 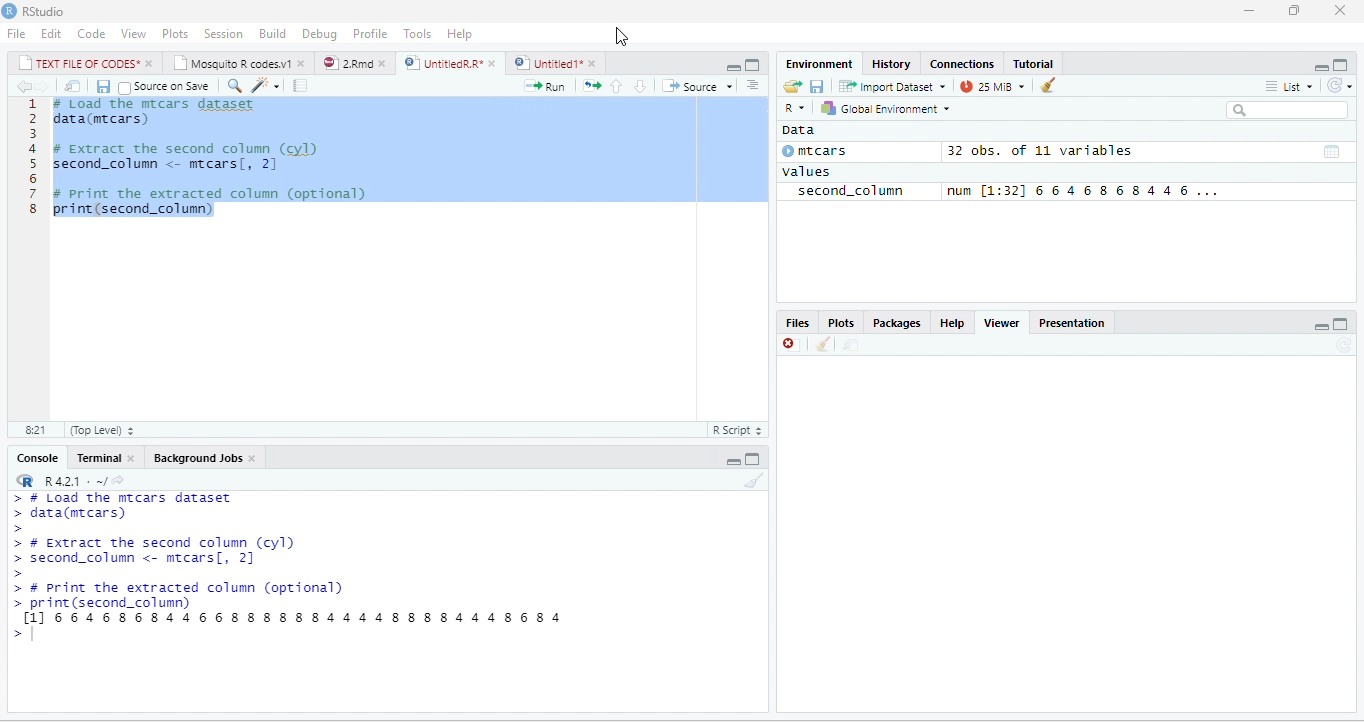 What do you see at coordinates (99, 431) in the screenshot?
I see `(top level)` at bounding box center [99, 431].